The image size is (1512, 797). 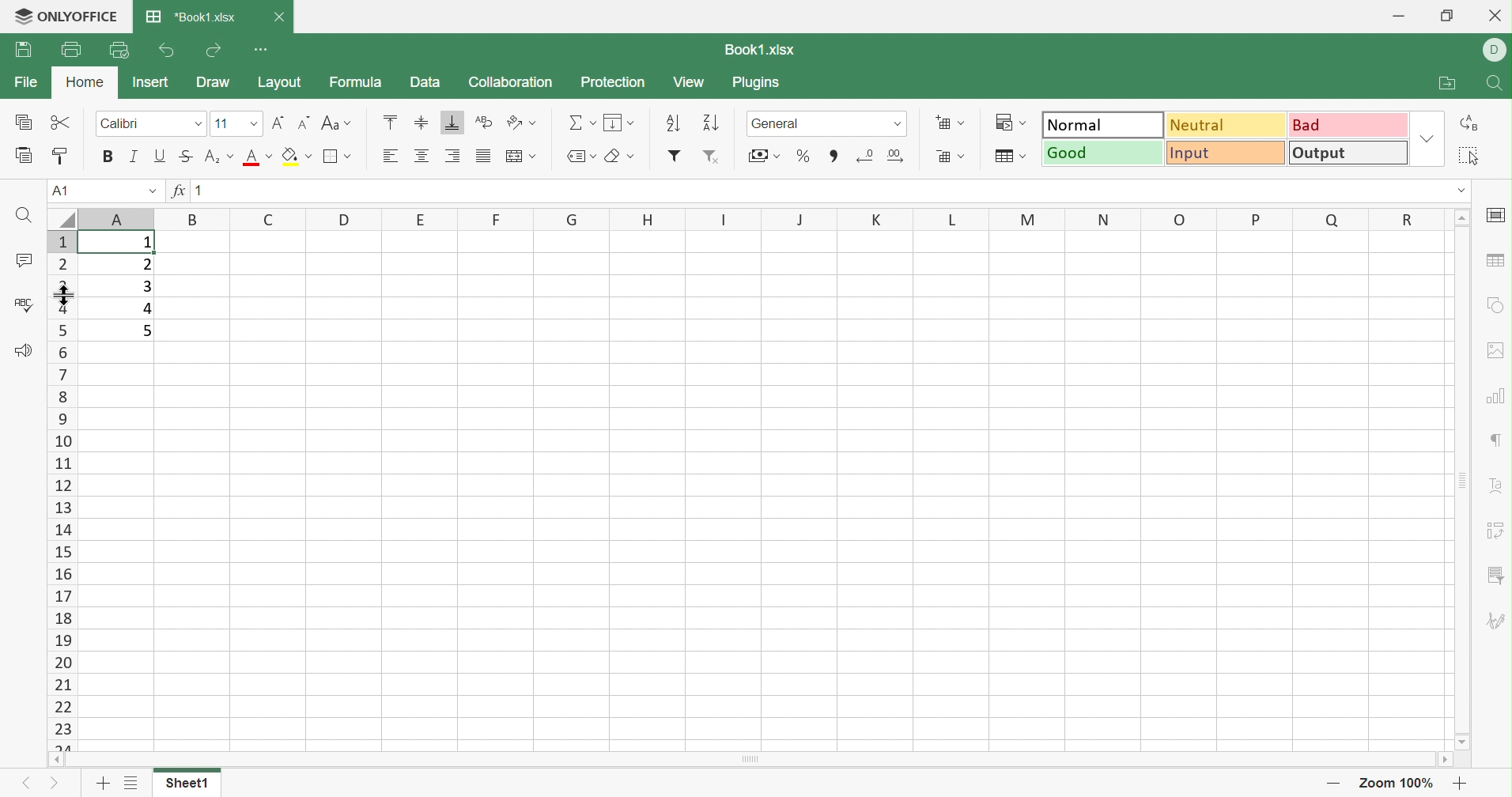 I want to click on Paste, so click(x=25, y=157).